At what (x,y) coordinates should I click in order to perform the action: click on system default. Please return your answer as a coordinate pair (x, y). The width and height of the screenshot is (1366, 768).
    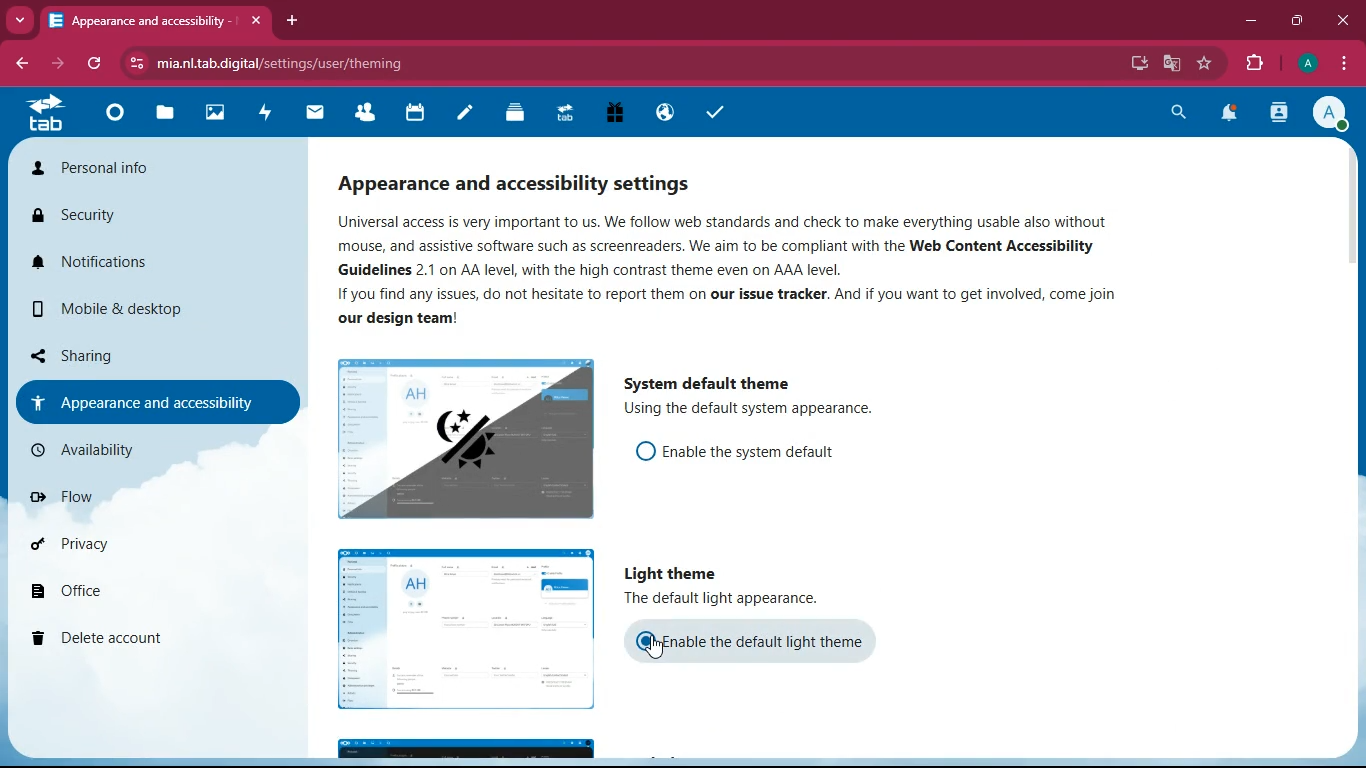
    Looking at the image, I should click on (703, 381).